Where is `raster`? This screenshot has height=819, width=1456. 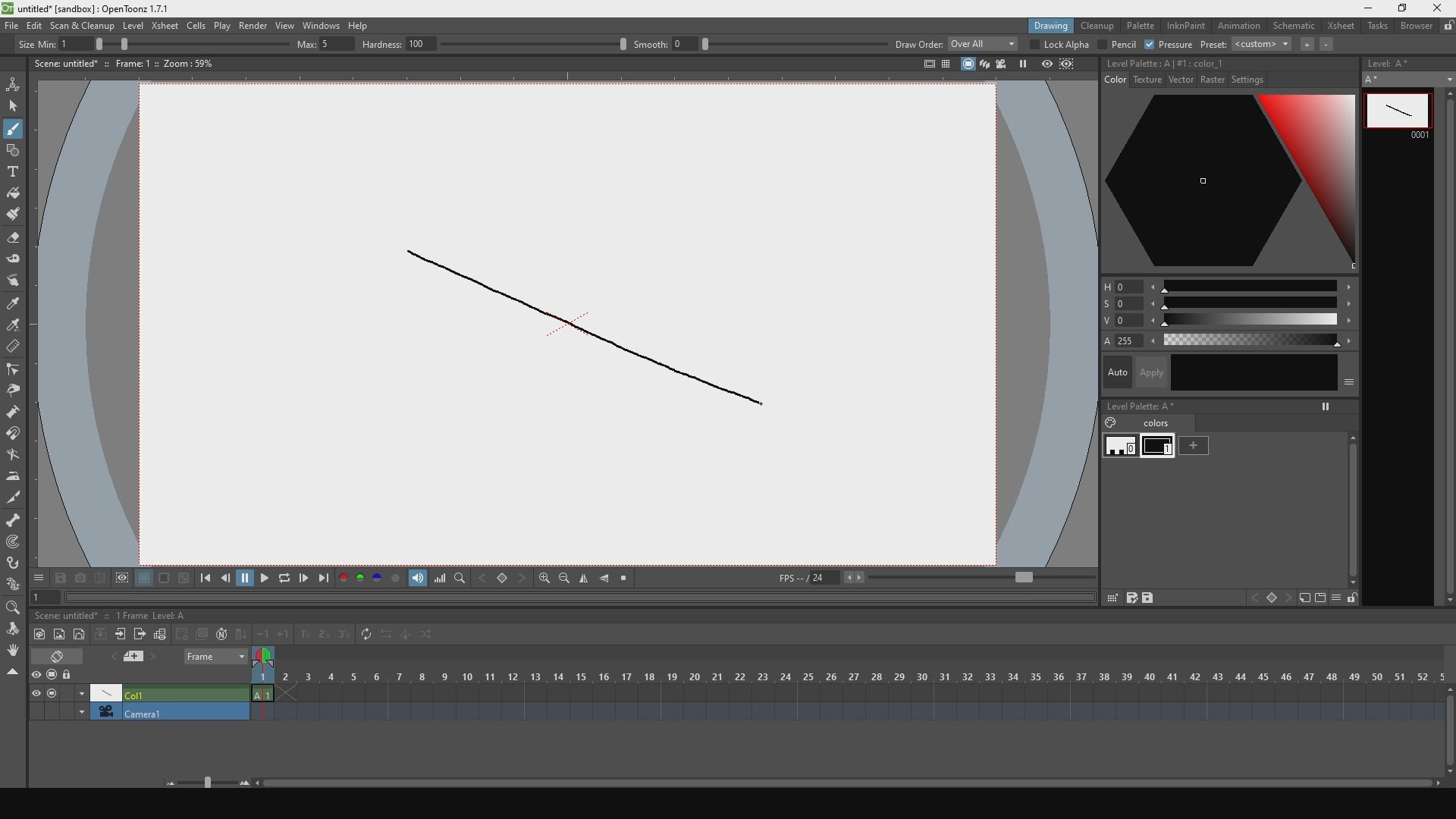
raster is located at coordinates (1214, 80).